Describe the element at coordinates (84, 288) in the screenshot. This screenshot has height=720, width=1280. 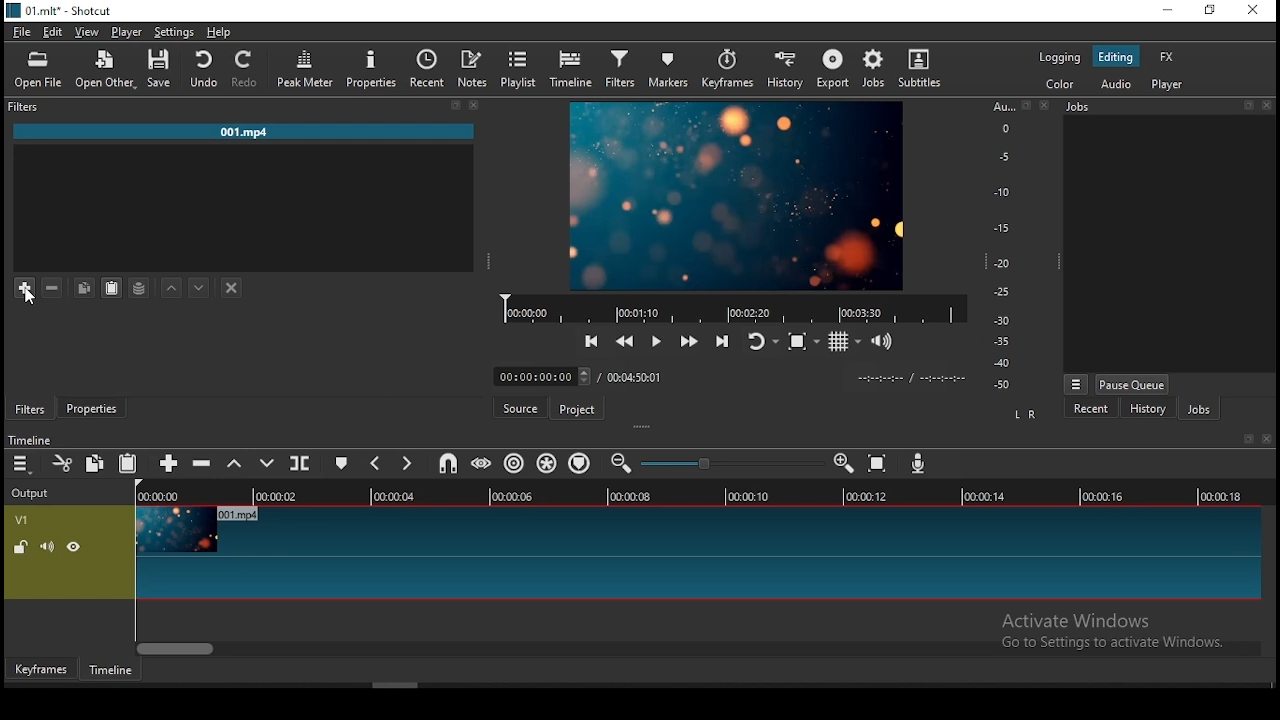
I see `copy filter` at that location.